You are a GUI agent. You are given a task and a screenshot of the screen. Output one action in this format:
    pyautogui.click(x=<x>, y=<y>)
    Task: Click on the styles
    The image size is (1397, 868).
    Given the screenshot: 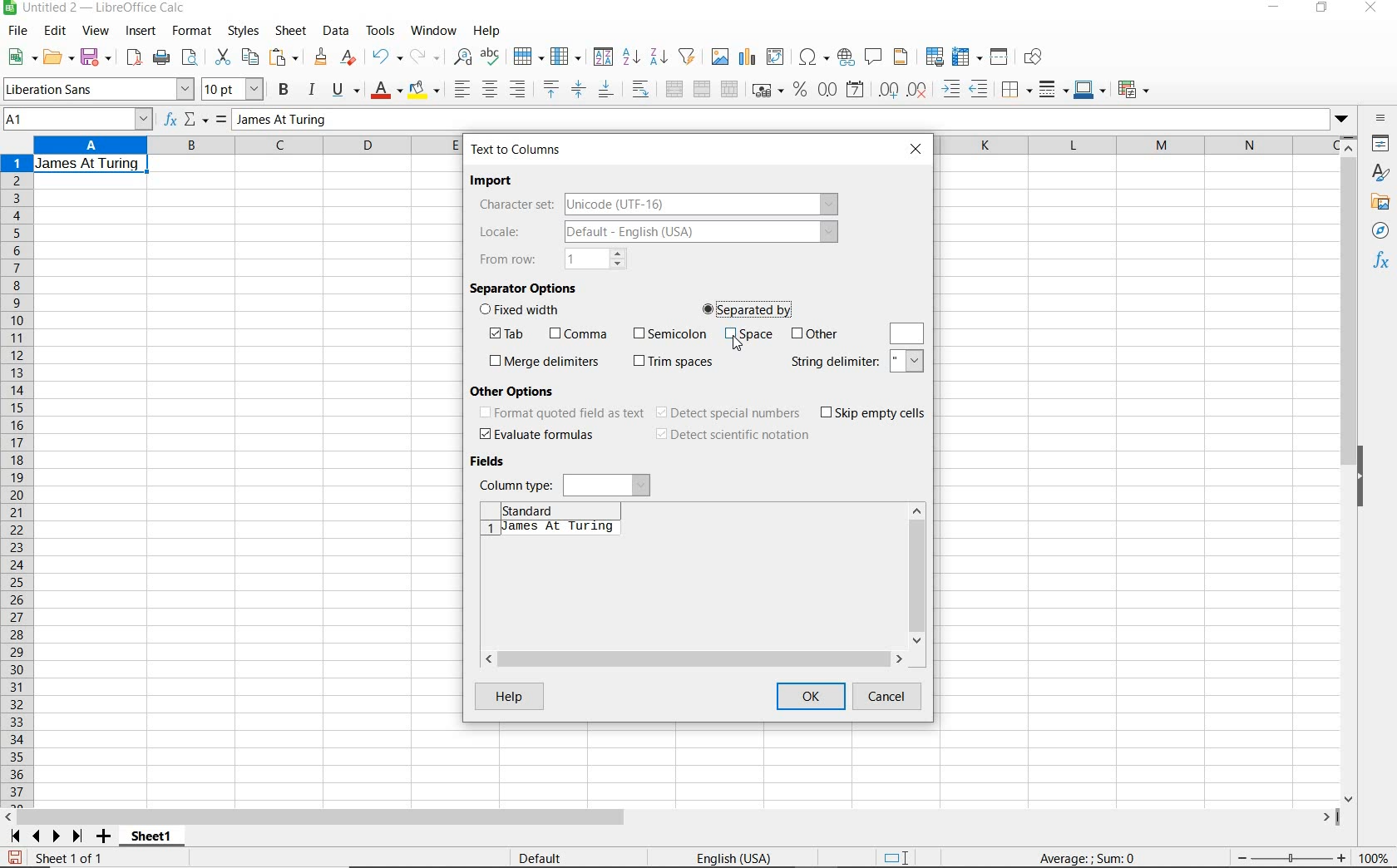 What is the action you would take?
    pyautogui.click(x=244, y=33)
    